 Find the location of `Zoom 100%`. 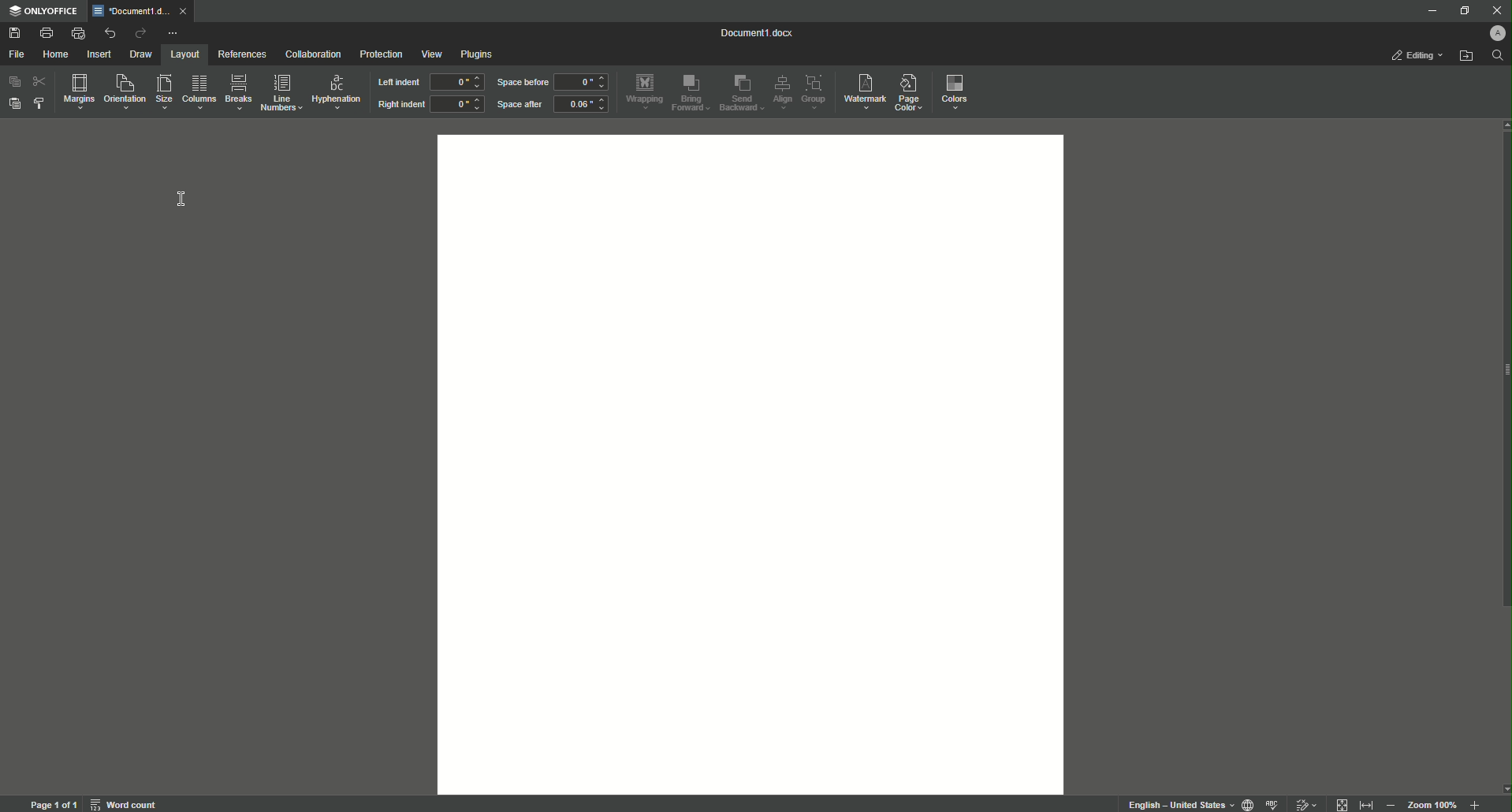

Zoom 100% is located at coordinates (1432, 804).